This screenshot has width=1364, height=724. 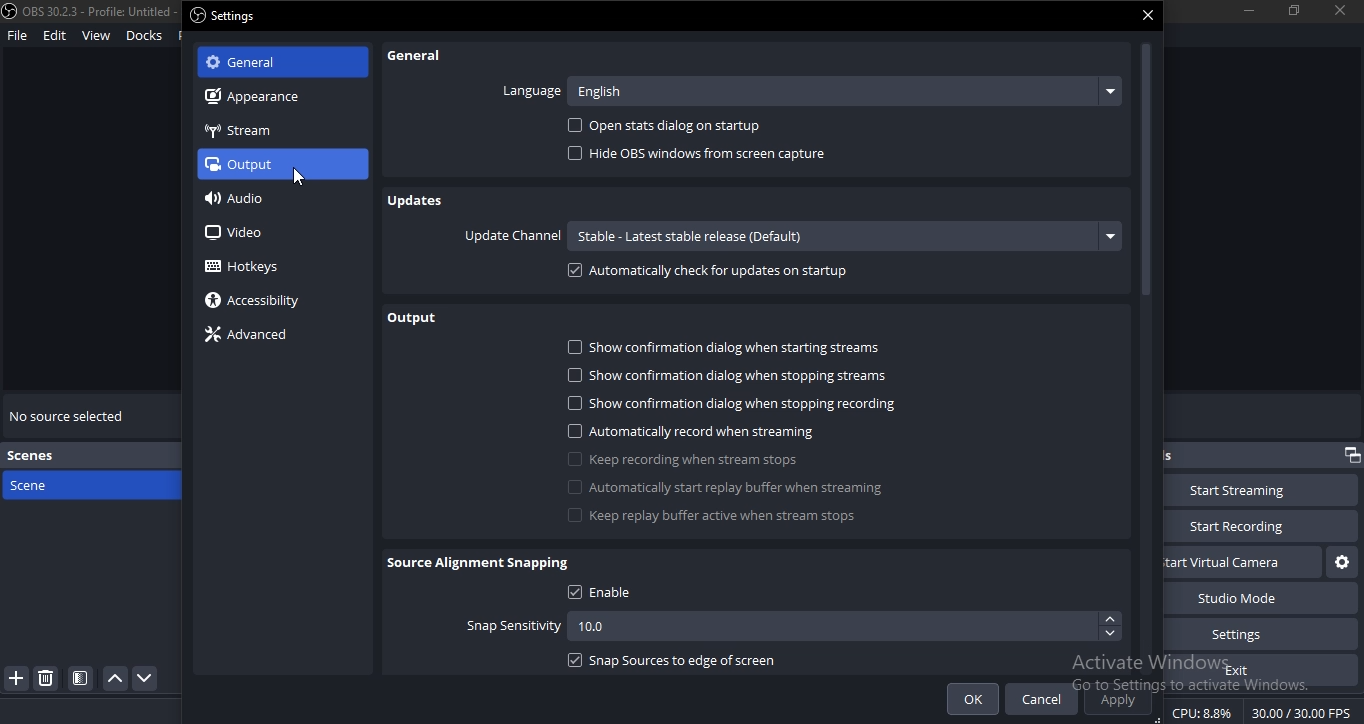 What do you see at coordinates (1247, 491) in the screenshot?
I see `start streaming` at bounding box center [1247, 491].